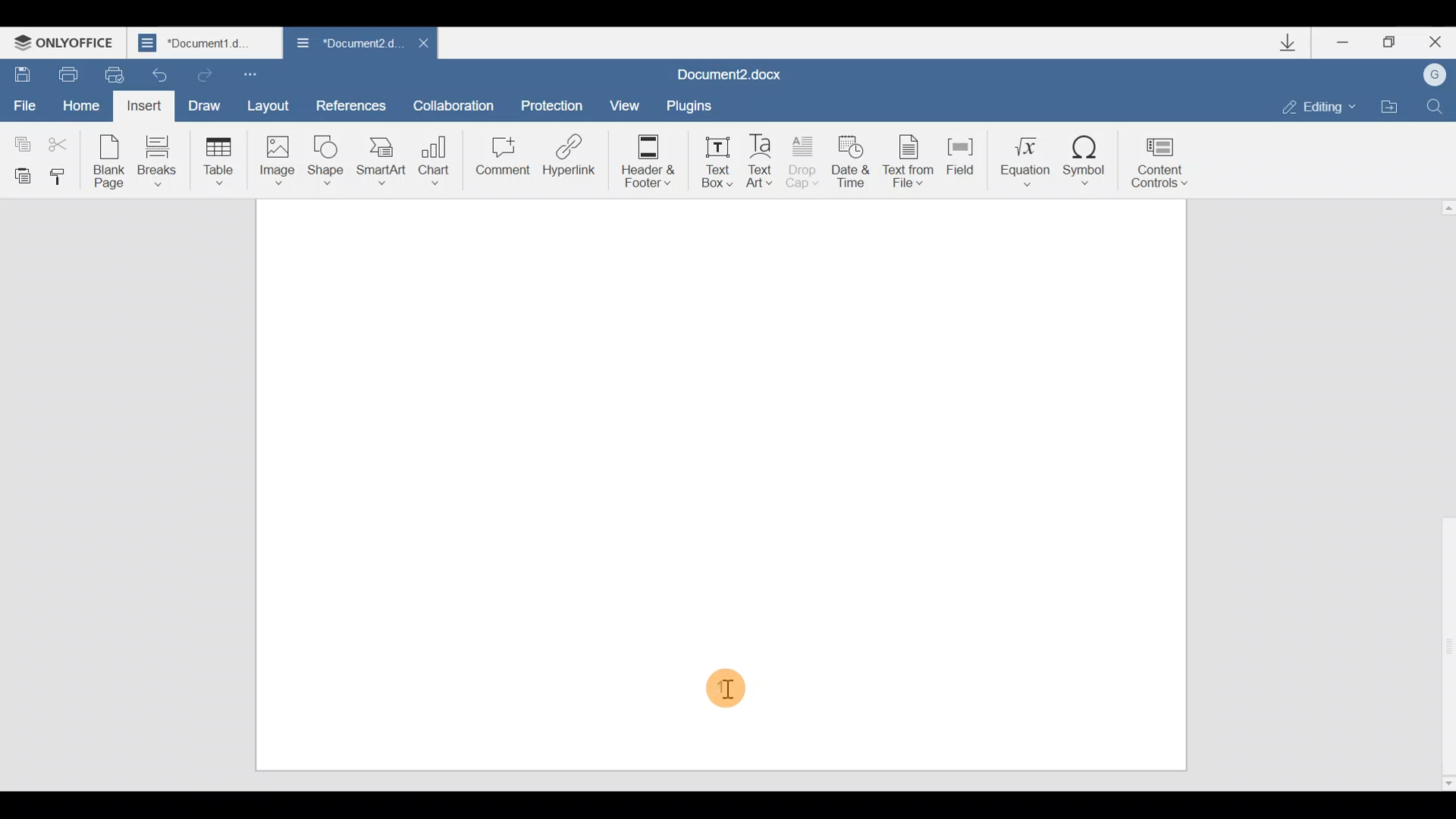  What do you see at coordinates (1442, 492) in the screenshot?
I see `Scroll bar` at bounding box center [1442, 492].